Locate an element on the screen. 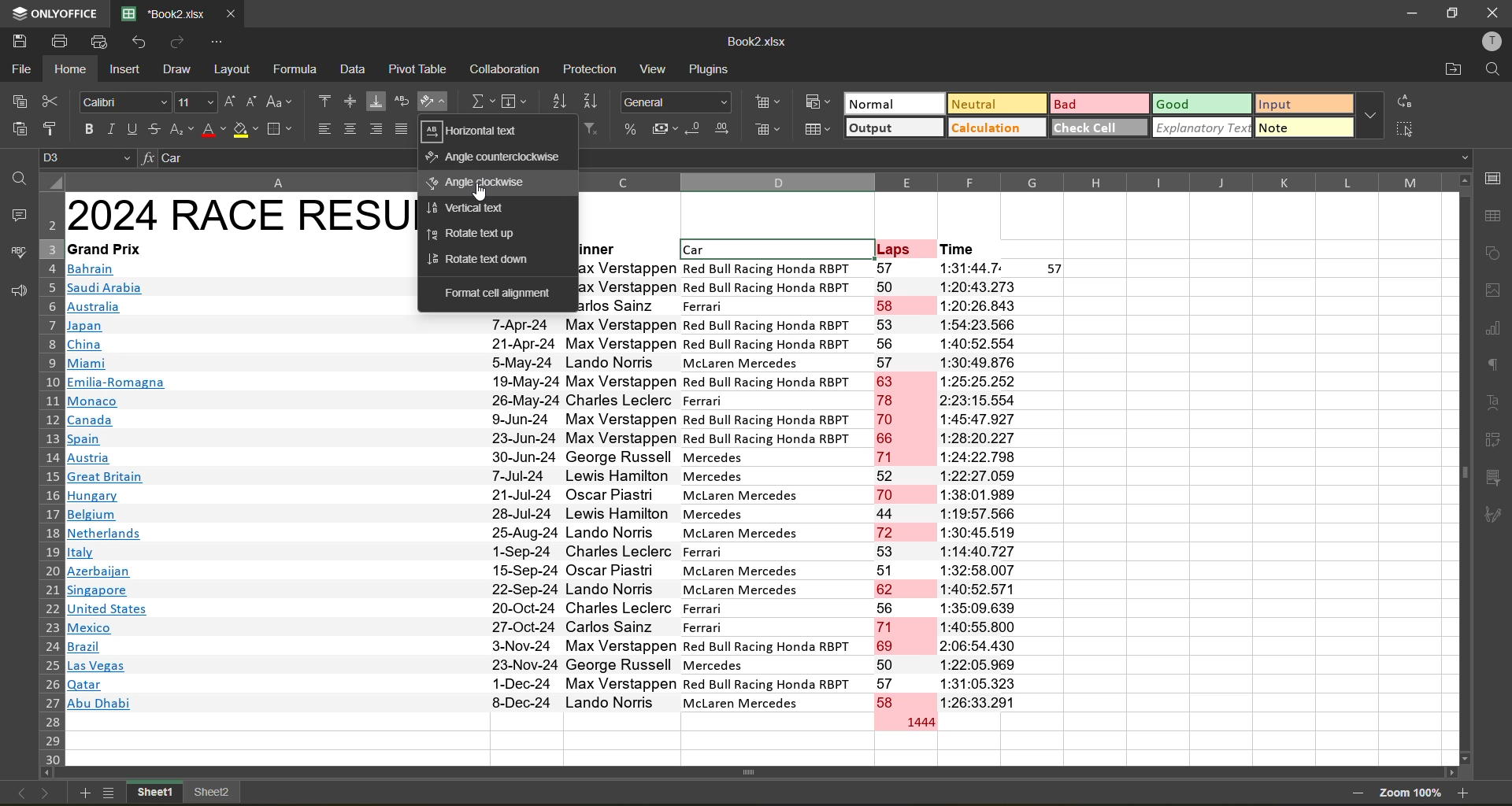 Image resolution: width=1512 pixels, height=806 pixels. sheets list is located at coordinates (110, 794).